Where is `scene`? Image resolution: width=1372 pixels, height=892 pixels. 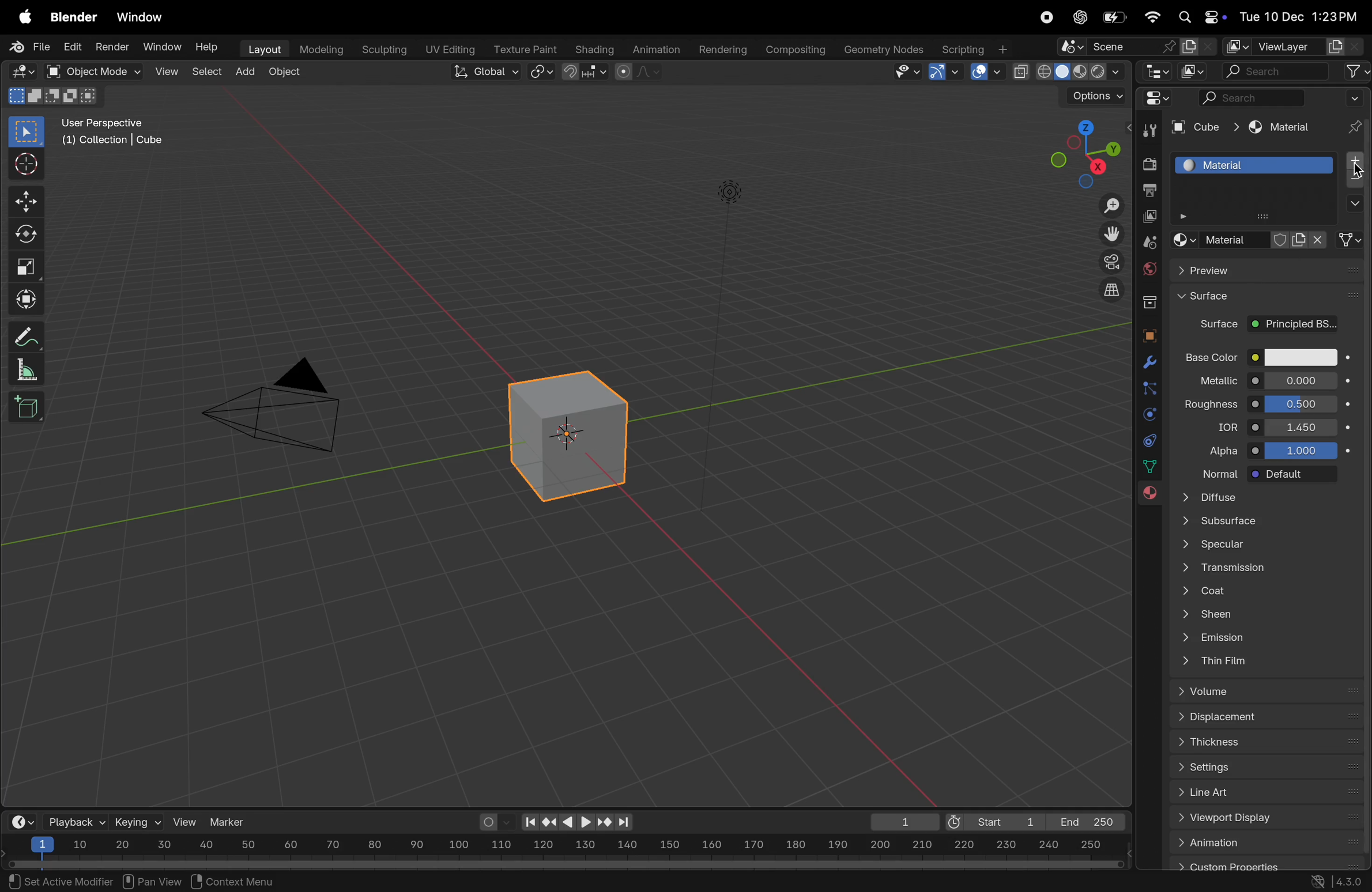
scene is located at coordinates (1137, 47).